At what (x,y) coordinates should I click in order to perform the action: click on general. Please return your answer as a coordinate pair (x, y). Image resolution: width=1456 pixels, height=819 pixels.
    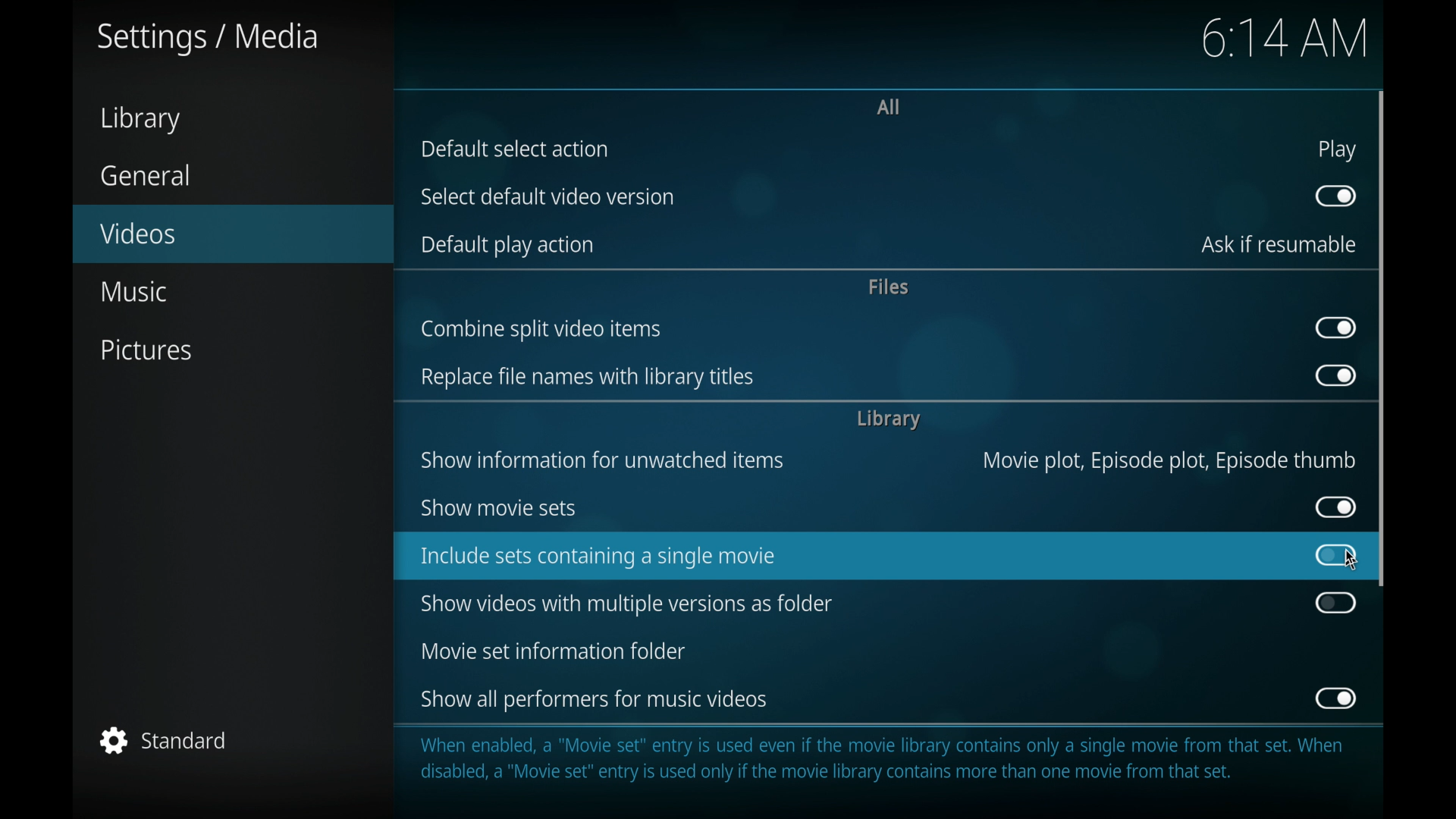
    Looking at the image, I should click on (146, 174).